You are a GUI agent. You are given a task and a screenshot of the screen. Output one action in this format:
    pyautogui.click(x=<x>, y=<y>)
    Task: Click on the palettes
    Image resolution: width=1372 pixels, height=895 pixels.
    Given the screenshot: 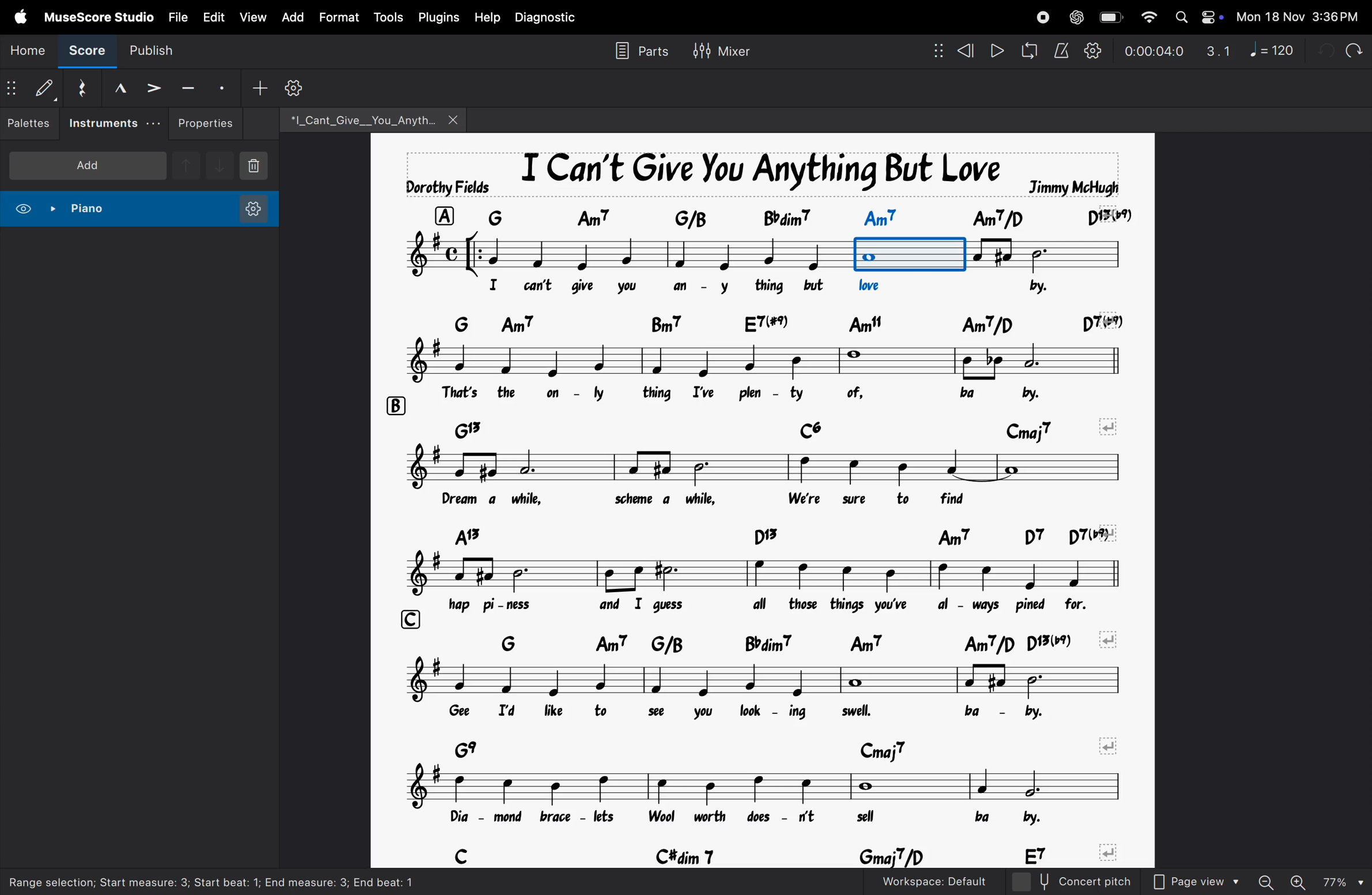 What is the action you would take?
    pyautogui.click(x=31, y=123)
    